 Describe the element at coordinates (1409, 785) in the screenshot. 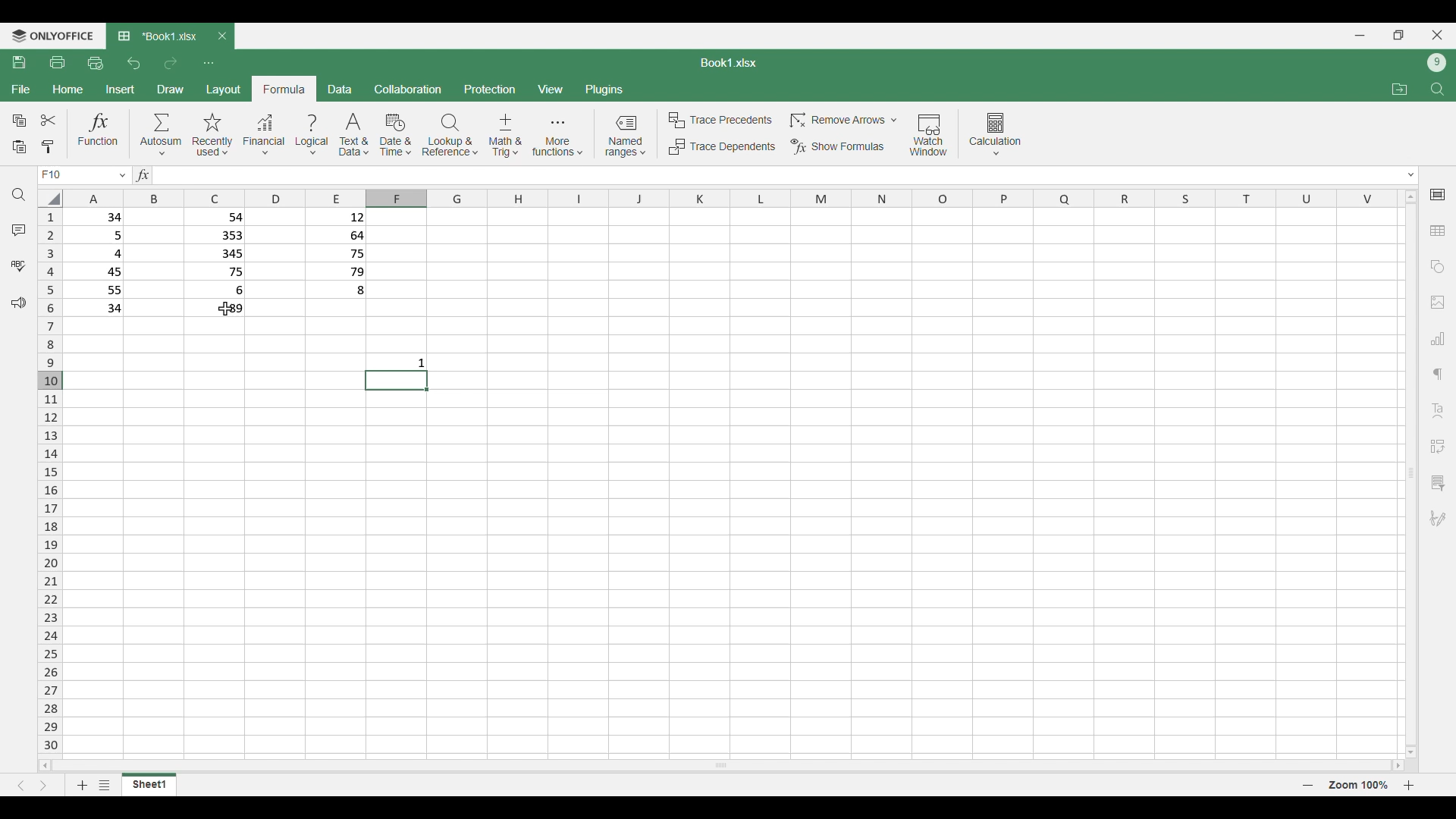

I see `Zoom in` at that location.